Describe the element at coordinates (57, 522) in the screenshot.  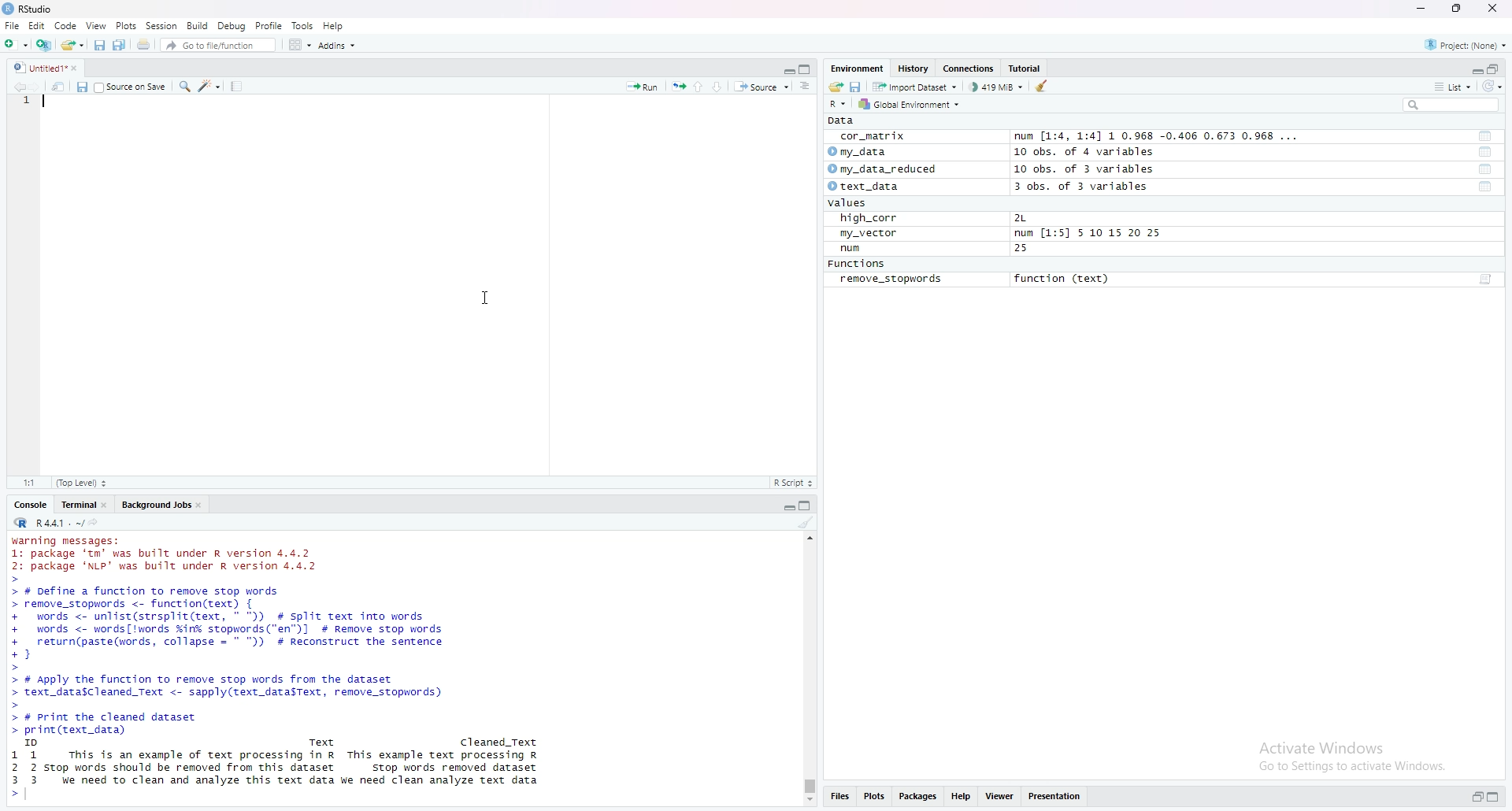
I see `R441. ~/` at that location.